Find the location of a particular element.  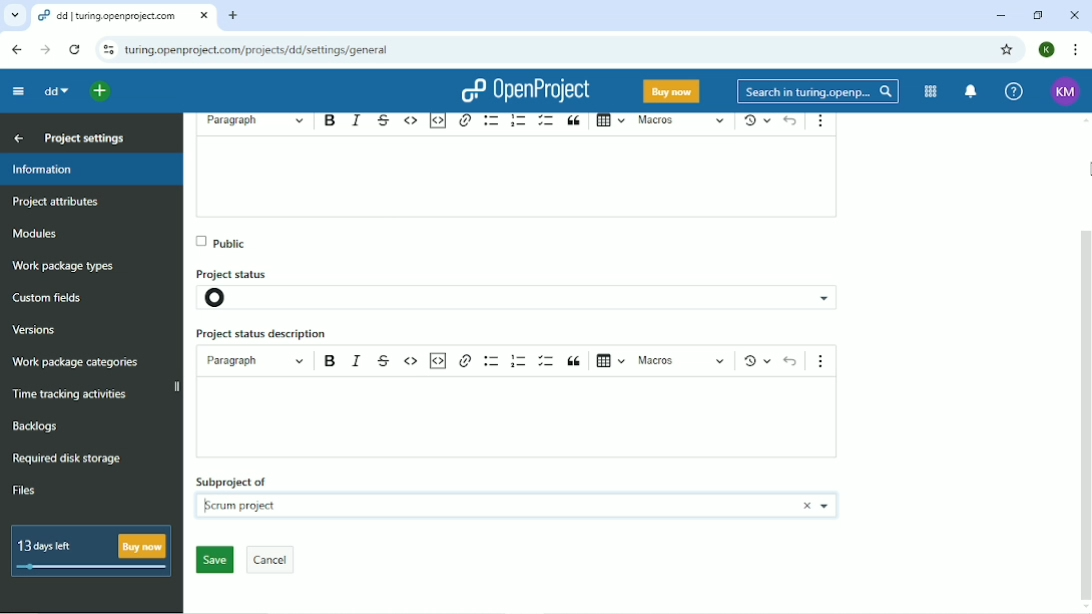

Back is located at coordinates (16, 138).